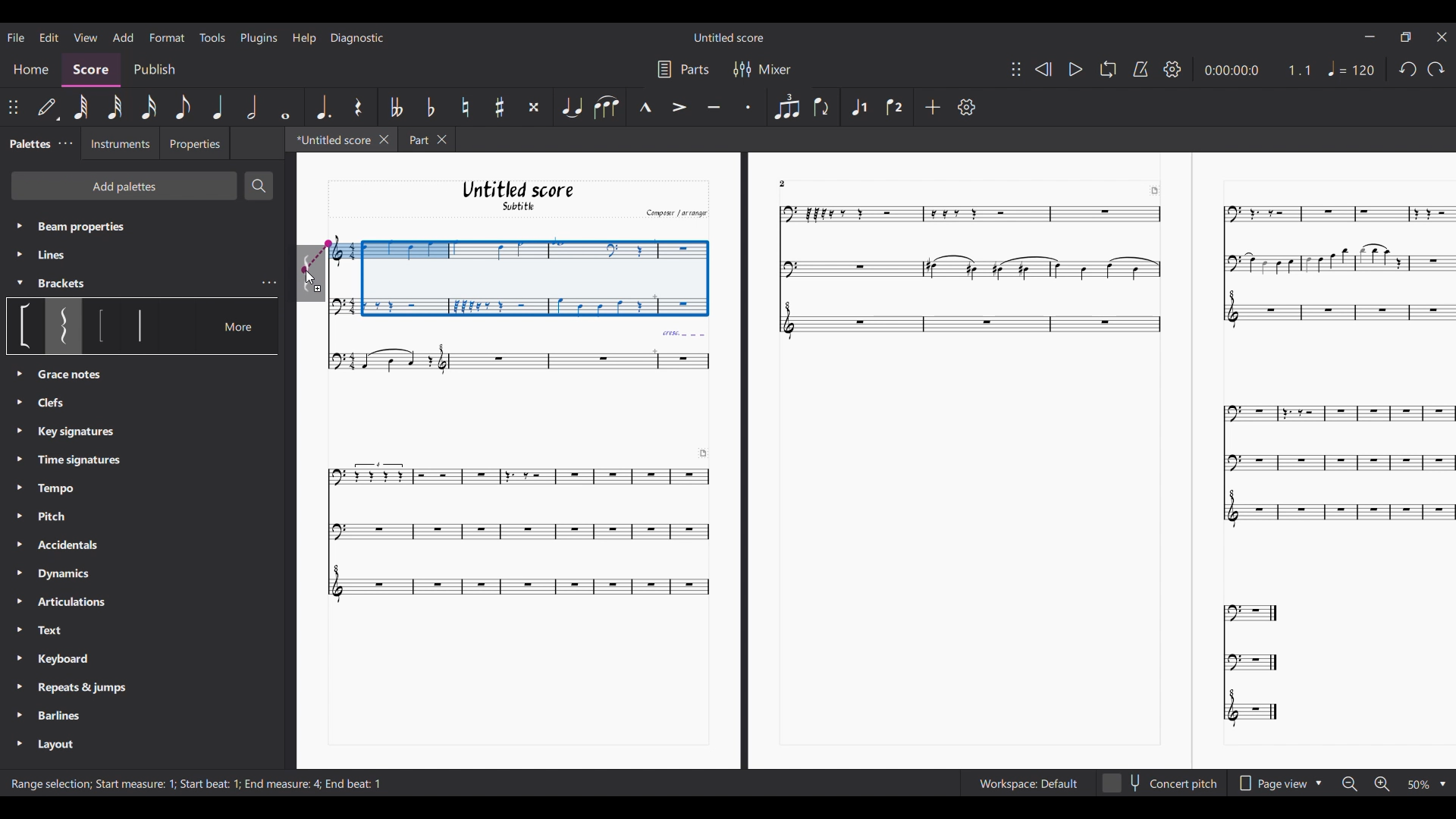 This screenshot has width=1456, height=819. I want to click on Option under bracket section, so click(140, 325).